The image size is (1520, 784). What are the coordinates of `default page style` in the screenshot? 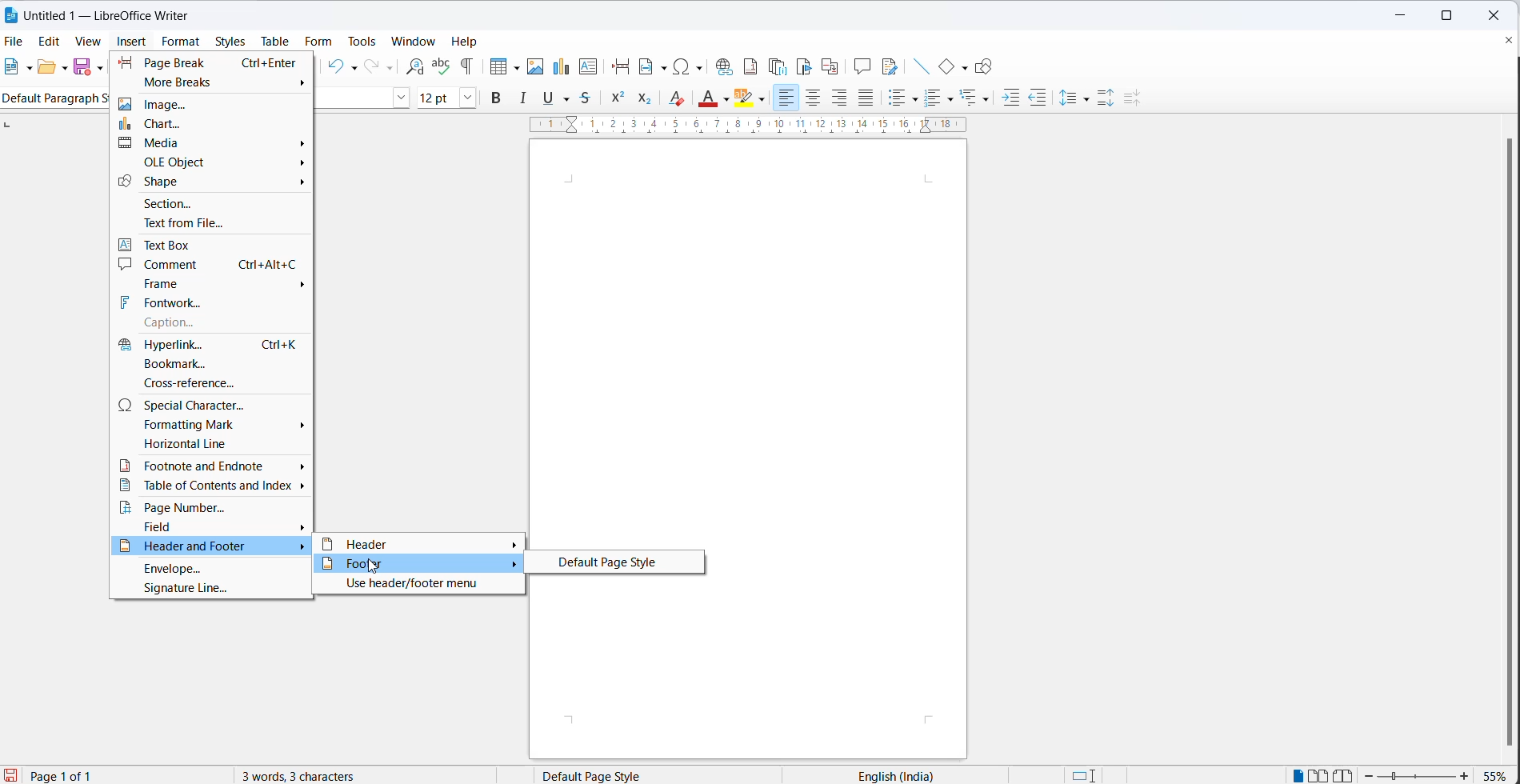 It's located at (620, 562).